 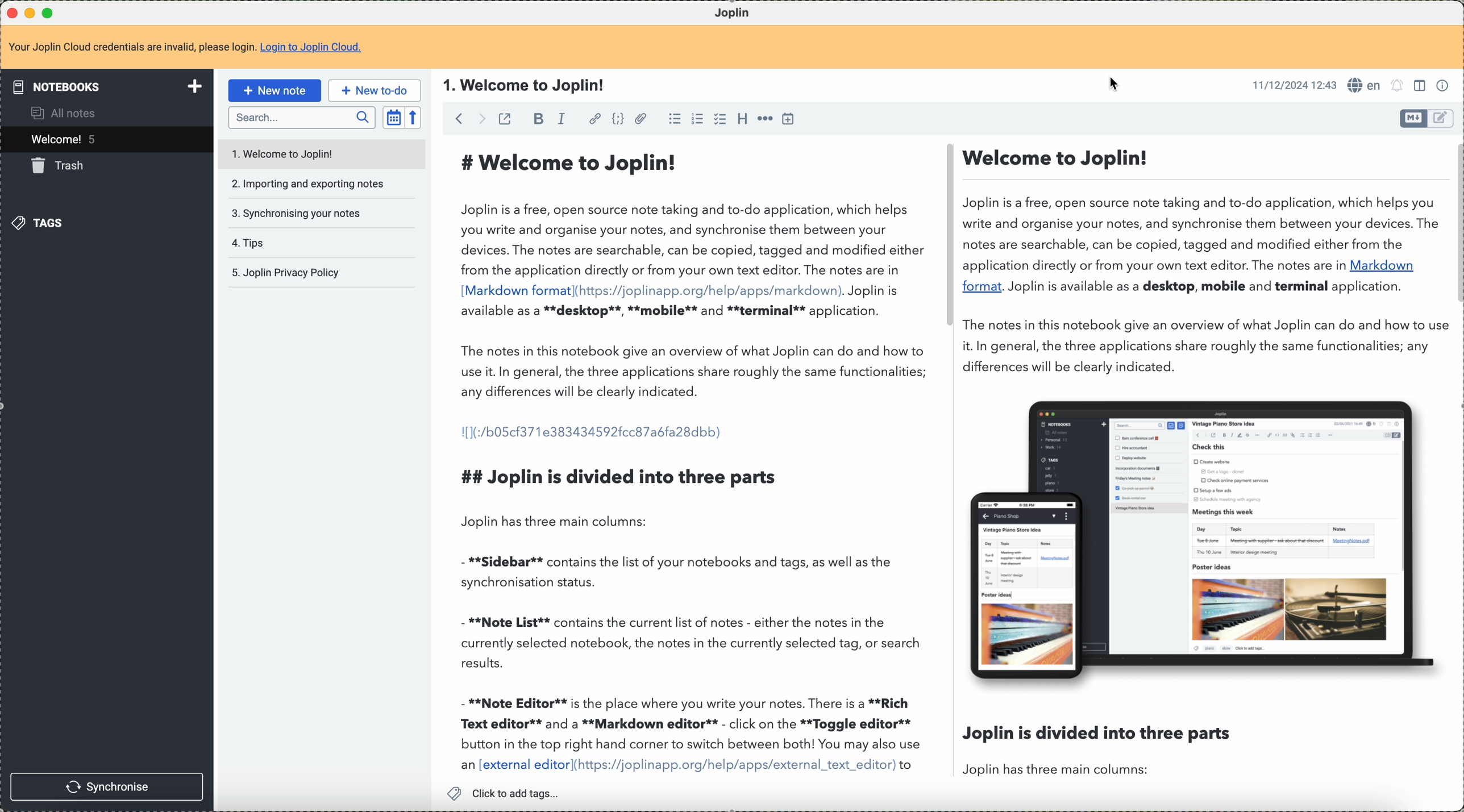 What do you see at coordinates (110, 86) in the screenshot?
I see `notebooks` at bounding box center [110, 86].